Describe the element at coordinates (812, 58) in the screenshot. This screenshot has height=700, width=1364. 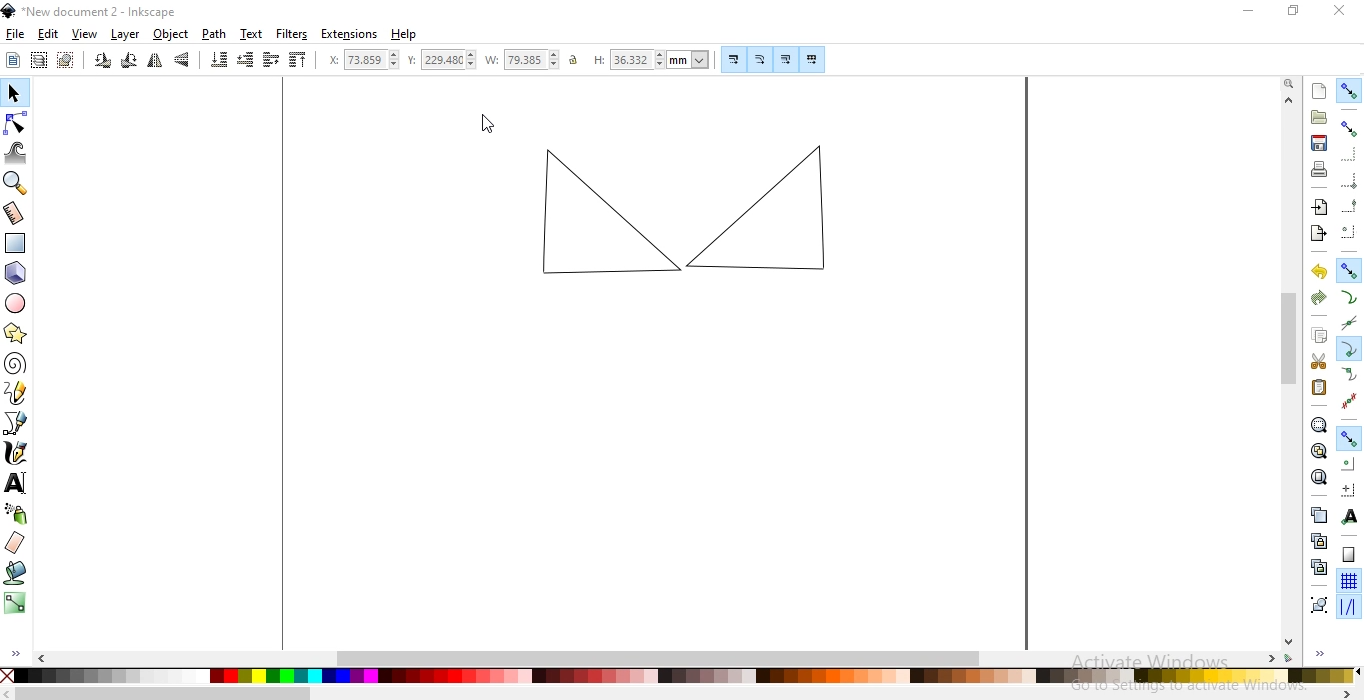
I see `move patterns along with objects` at that location.